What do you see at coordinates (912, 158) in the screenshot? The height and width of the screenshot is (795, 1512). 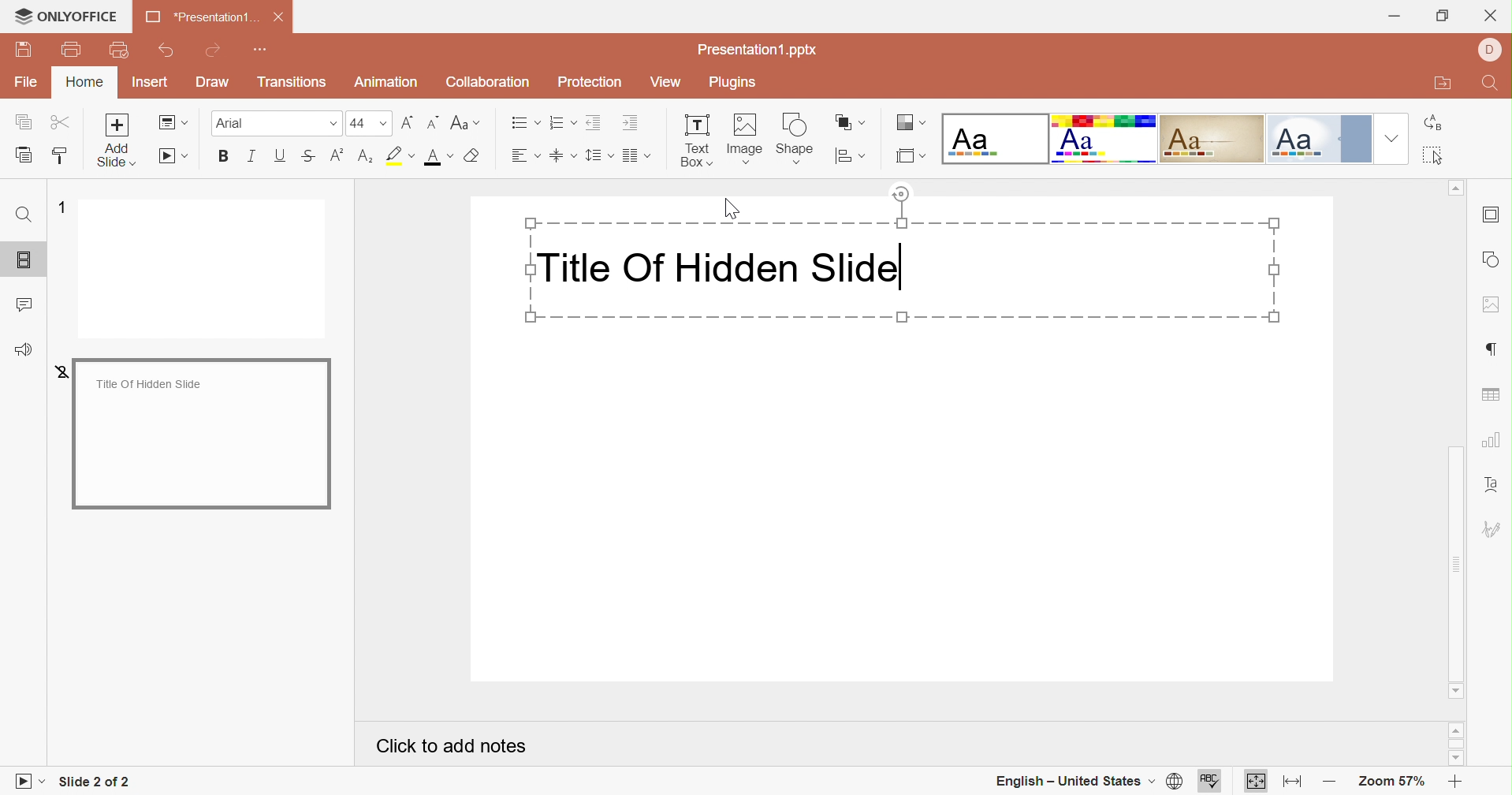 I see `Select slide size` at bounding box center [912, 158].